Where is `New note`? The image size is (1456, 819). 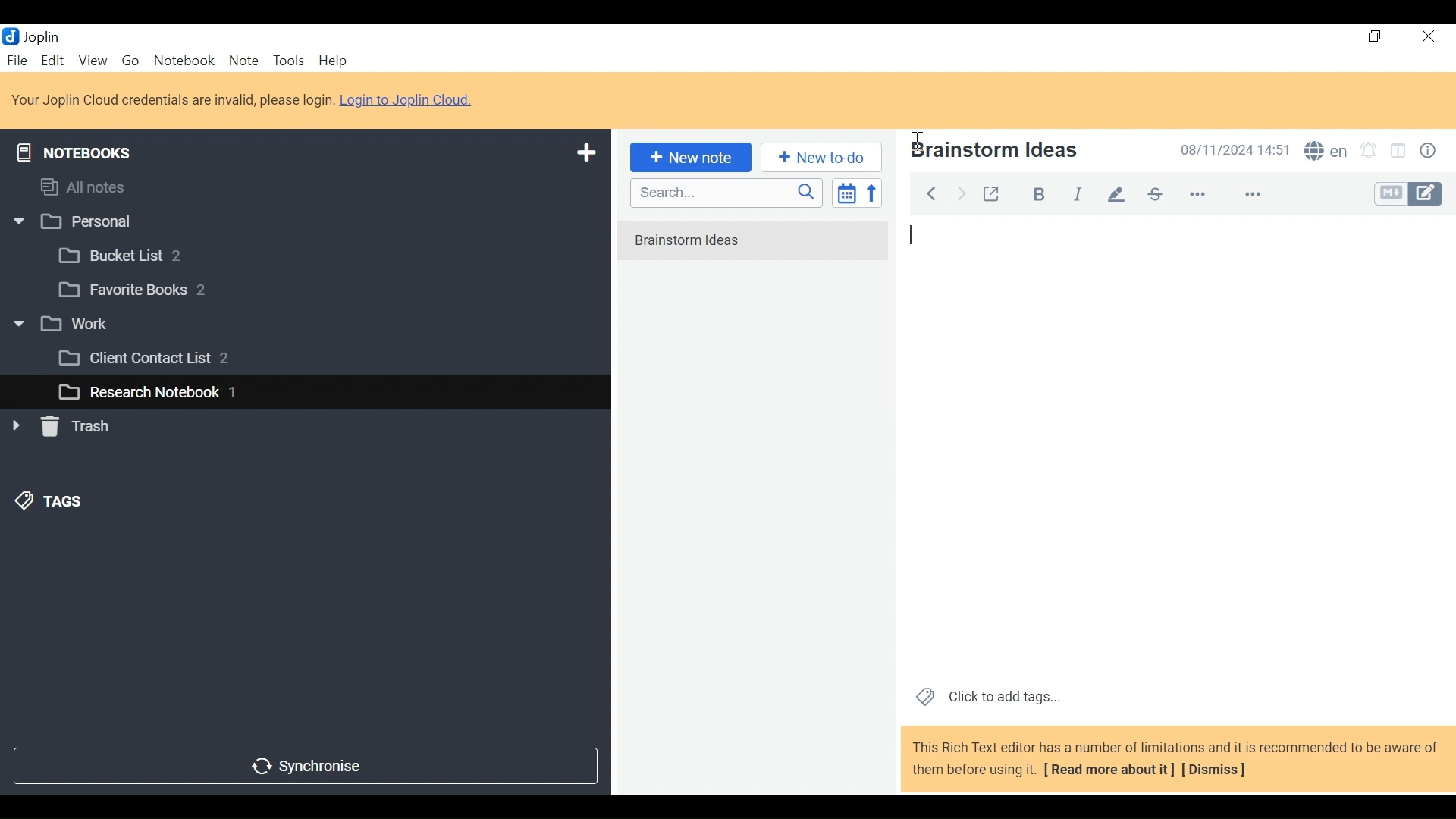 New note is located at coordinates (688, 156).